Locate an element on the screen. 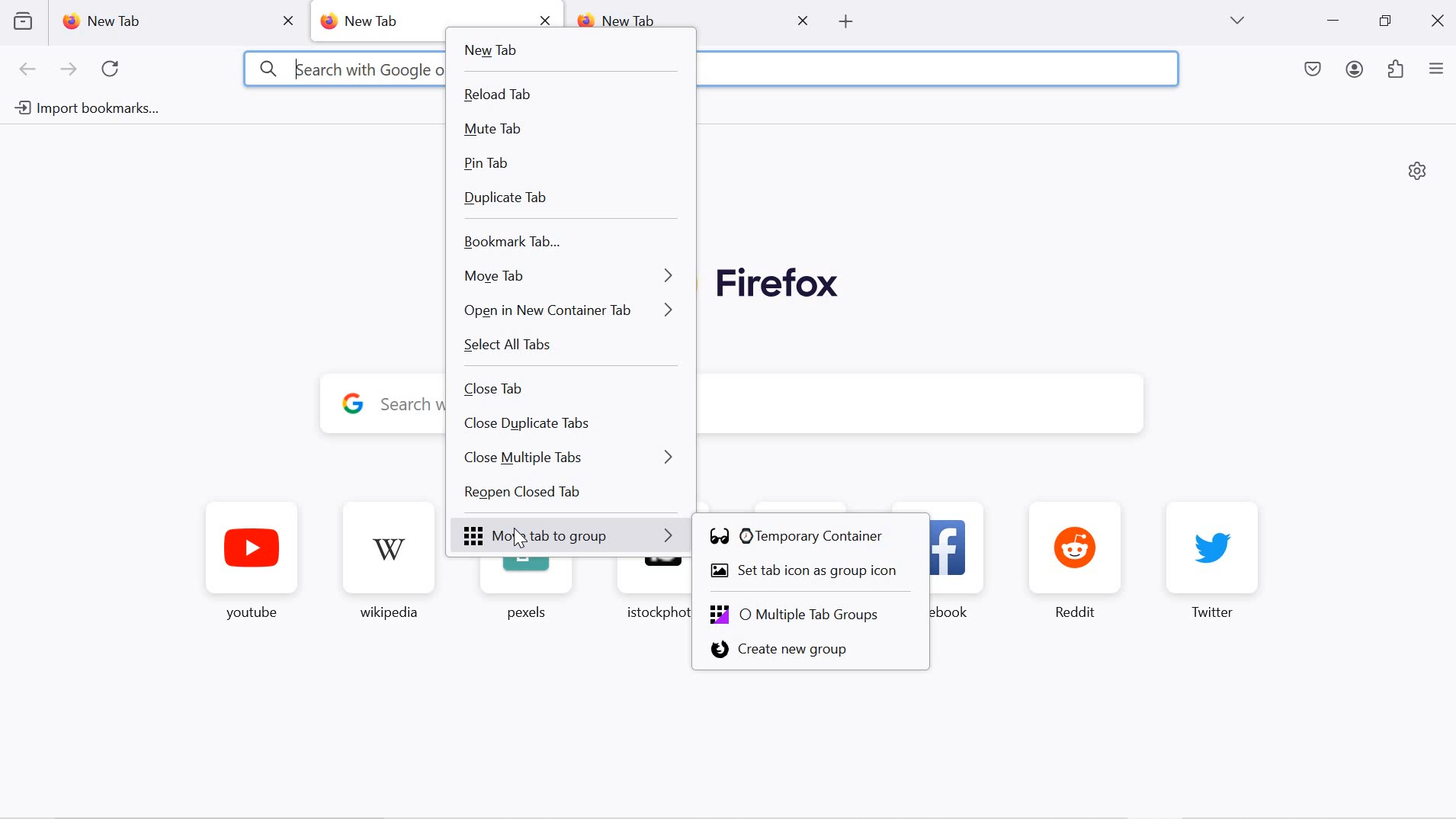 The width and height of the screenshot is (1456, 819). pin tab is located at coordinates (573, 165).